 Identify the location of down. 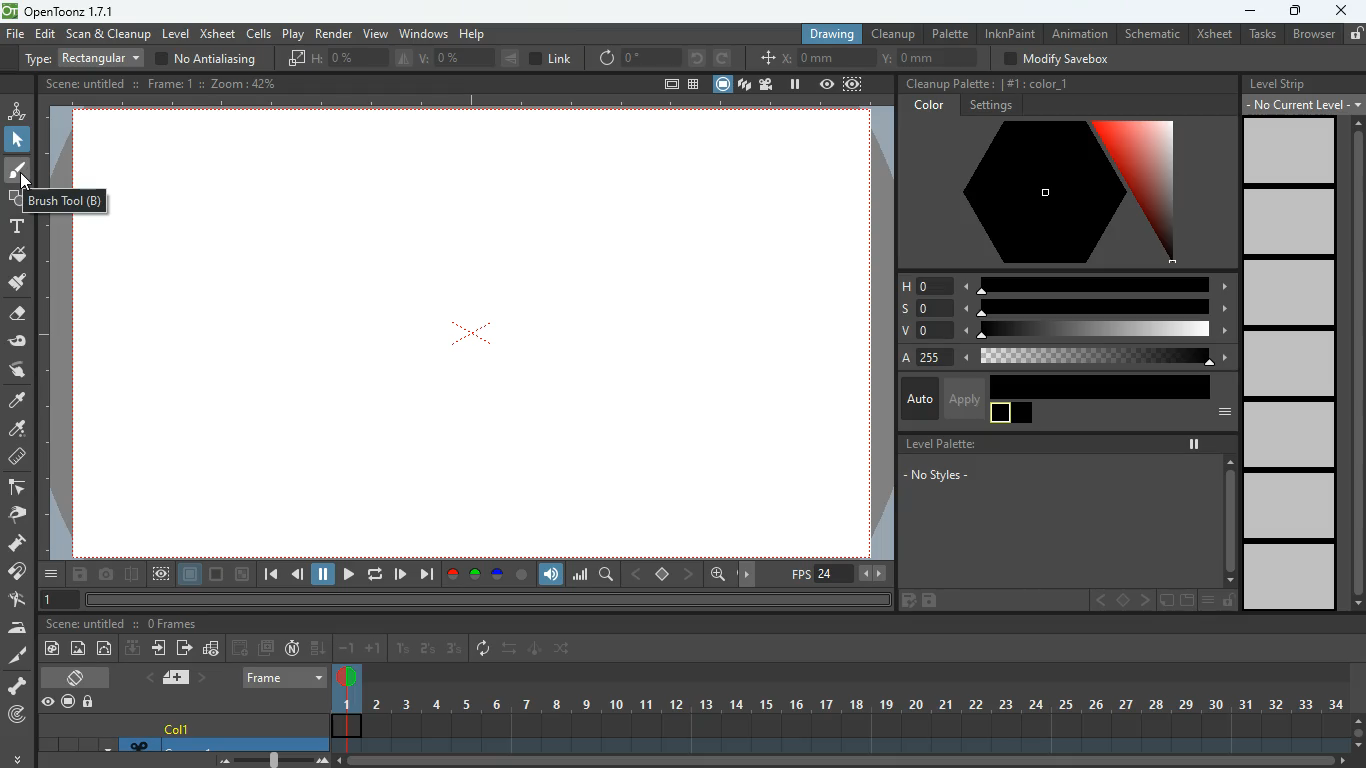
(133, 647).